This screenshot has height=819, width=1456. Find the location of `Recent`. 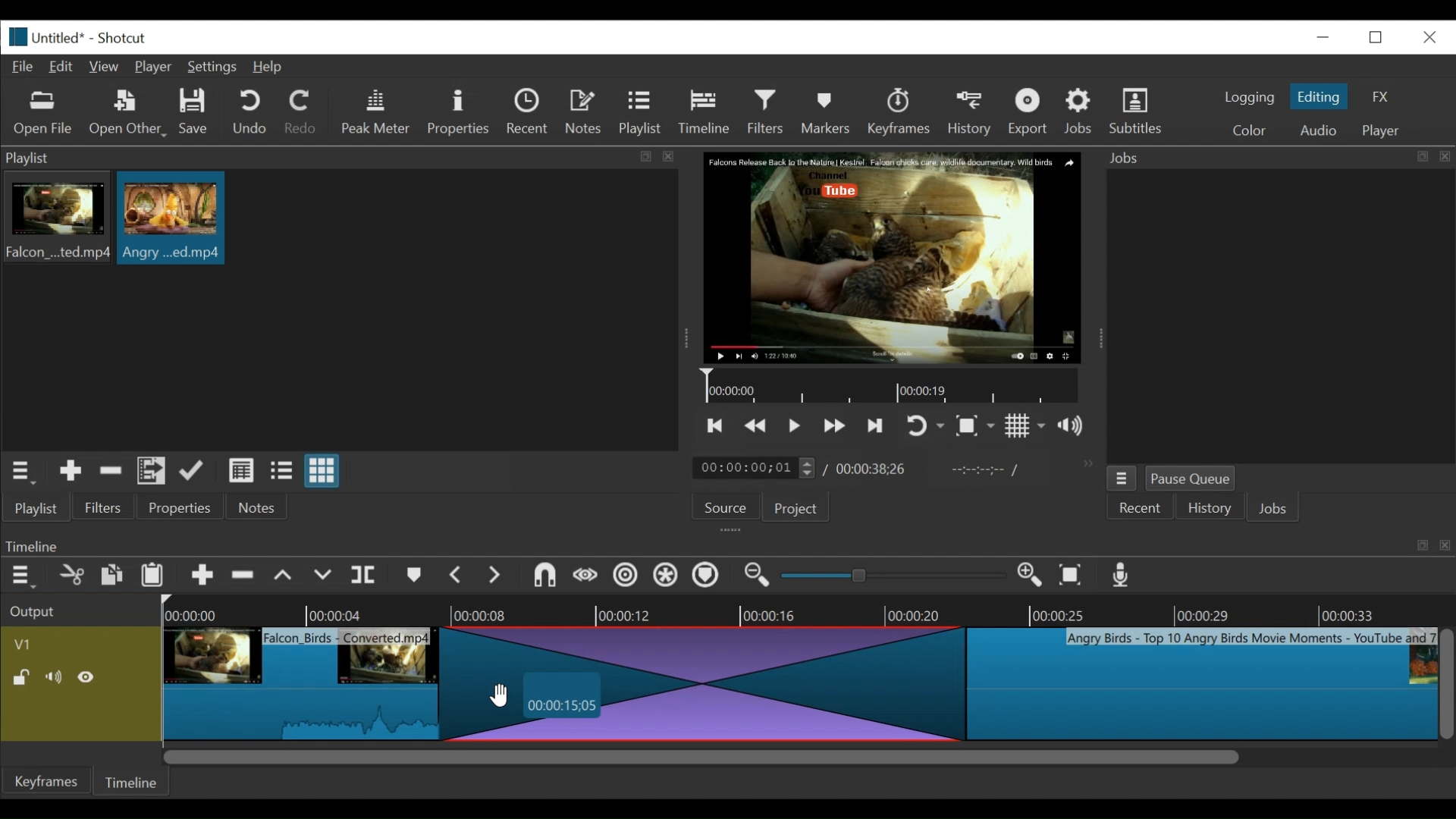

Recent is located at coordinates (1141, 509).